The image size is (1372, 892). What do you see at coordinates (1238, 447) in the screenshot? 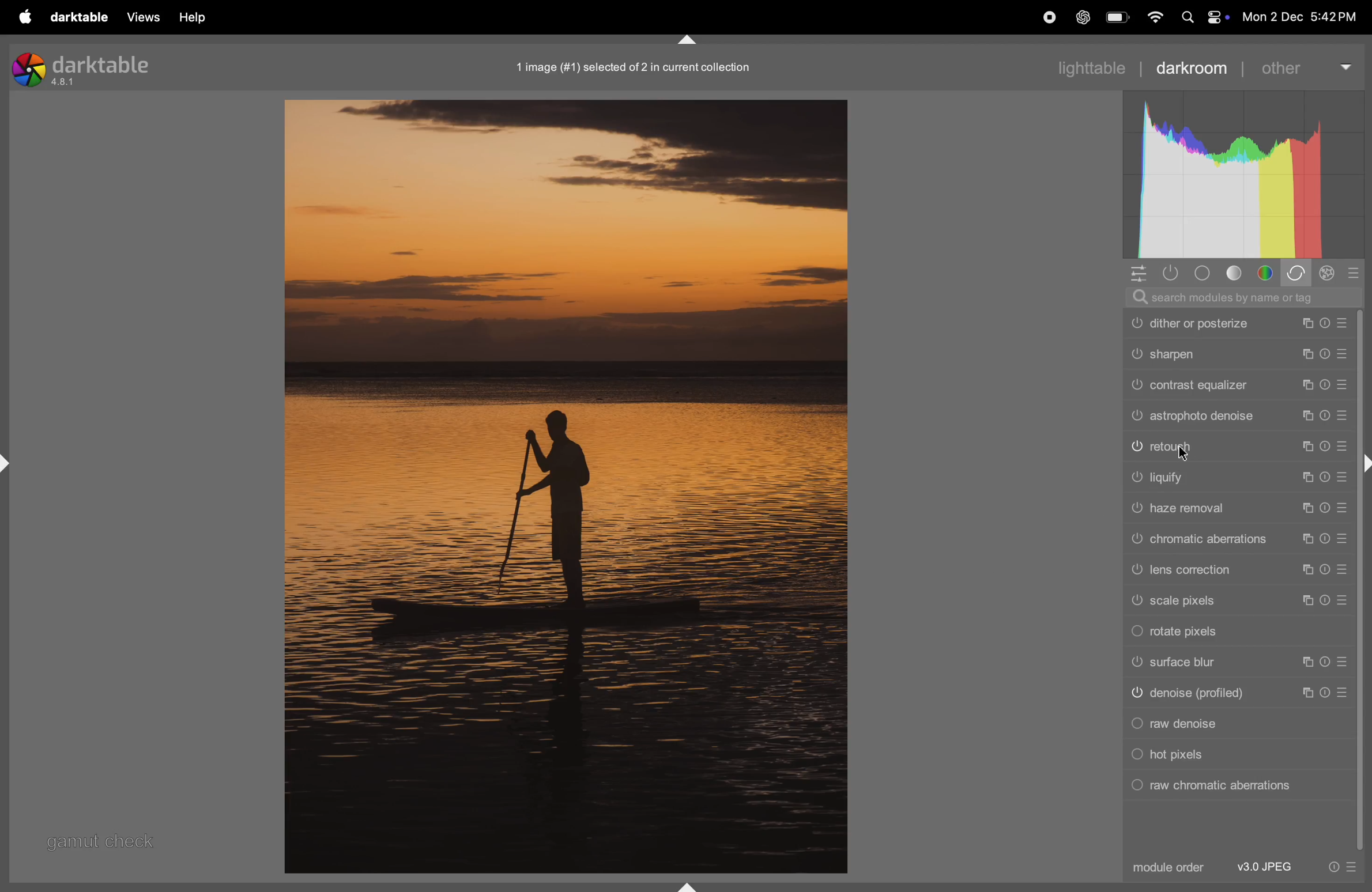
I see `retouch` at bounding box center [1238, 447].